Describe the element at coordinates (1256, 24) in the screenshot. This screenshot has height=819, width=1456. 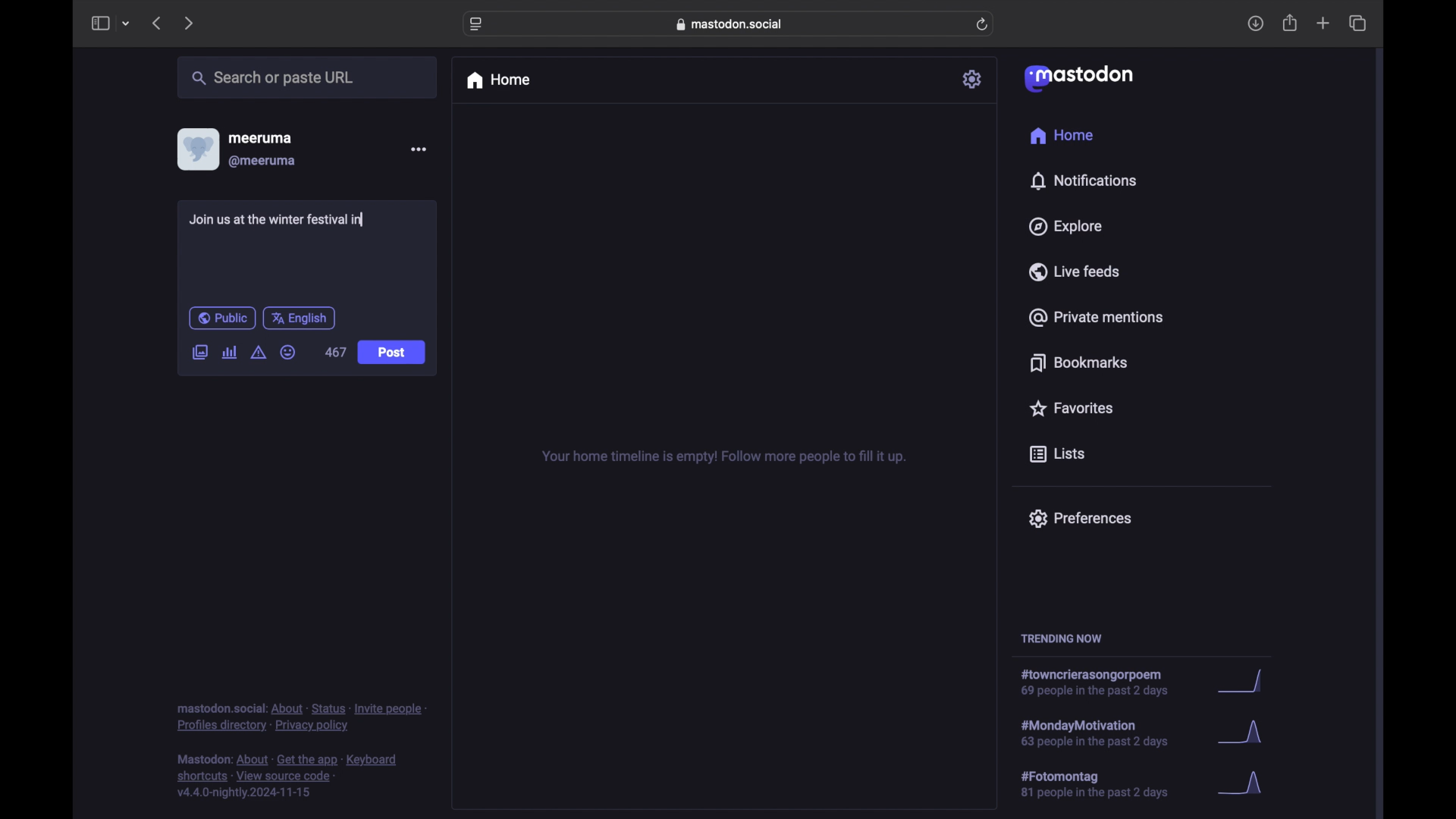
I see `download` at that location.